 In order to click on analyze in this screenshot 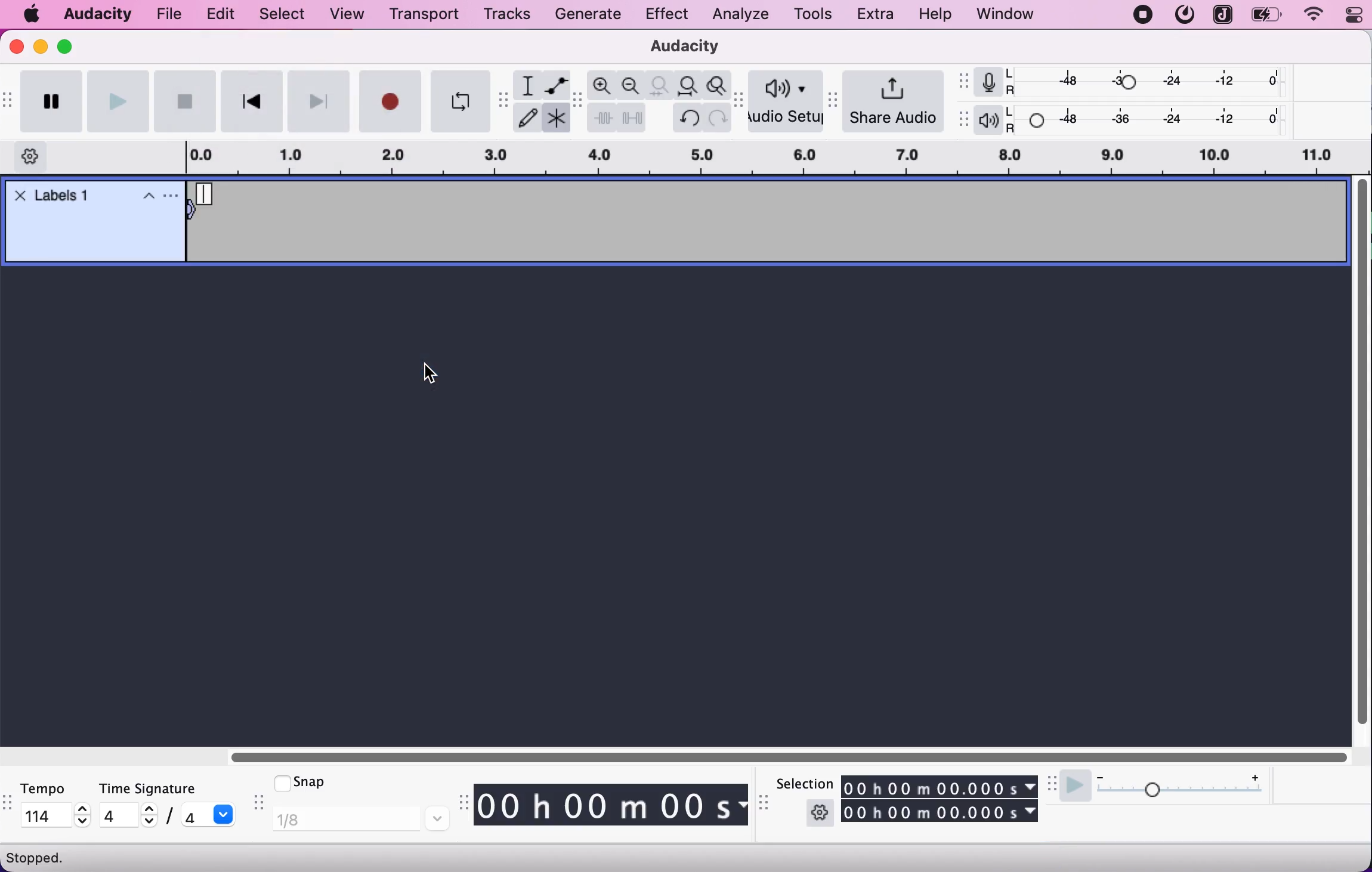, I will do `click(737, 15)`.